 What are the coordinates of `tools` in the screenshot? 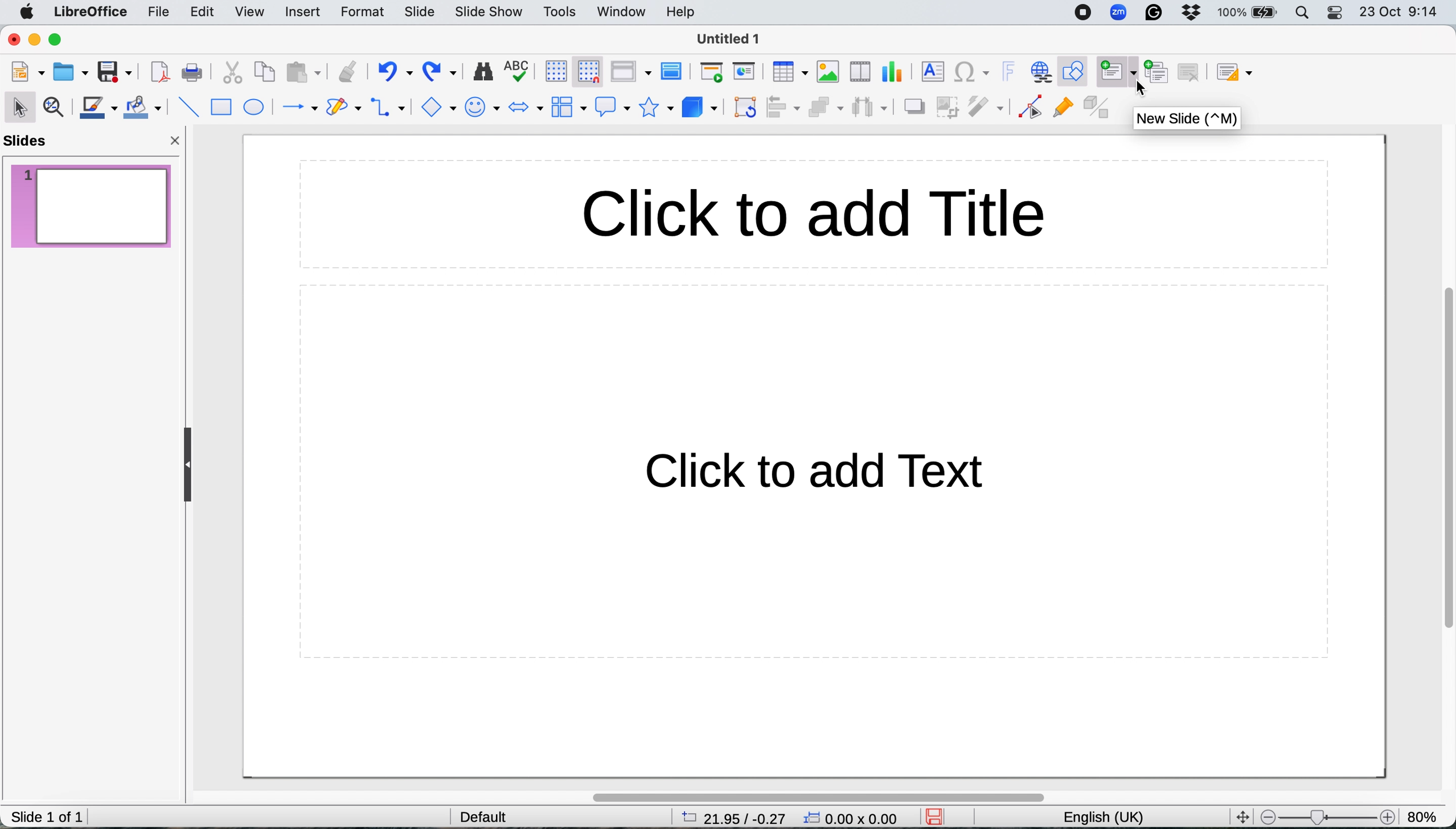 It's located at (564, 13).